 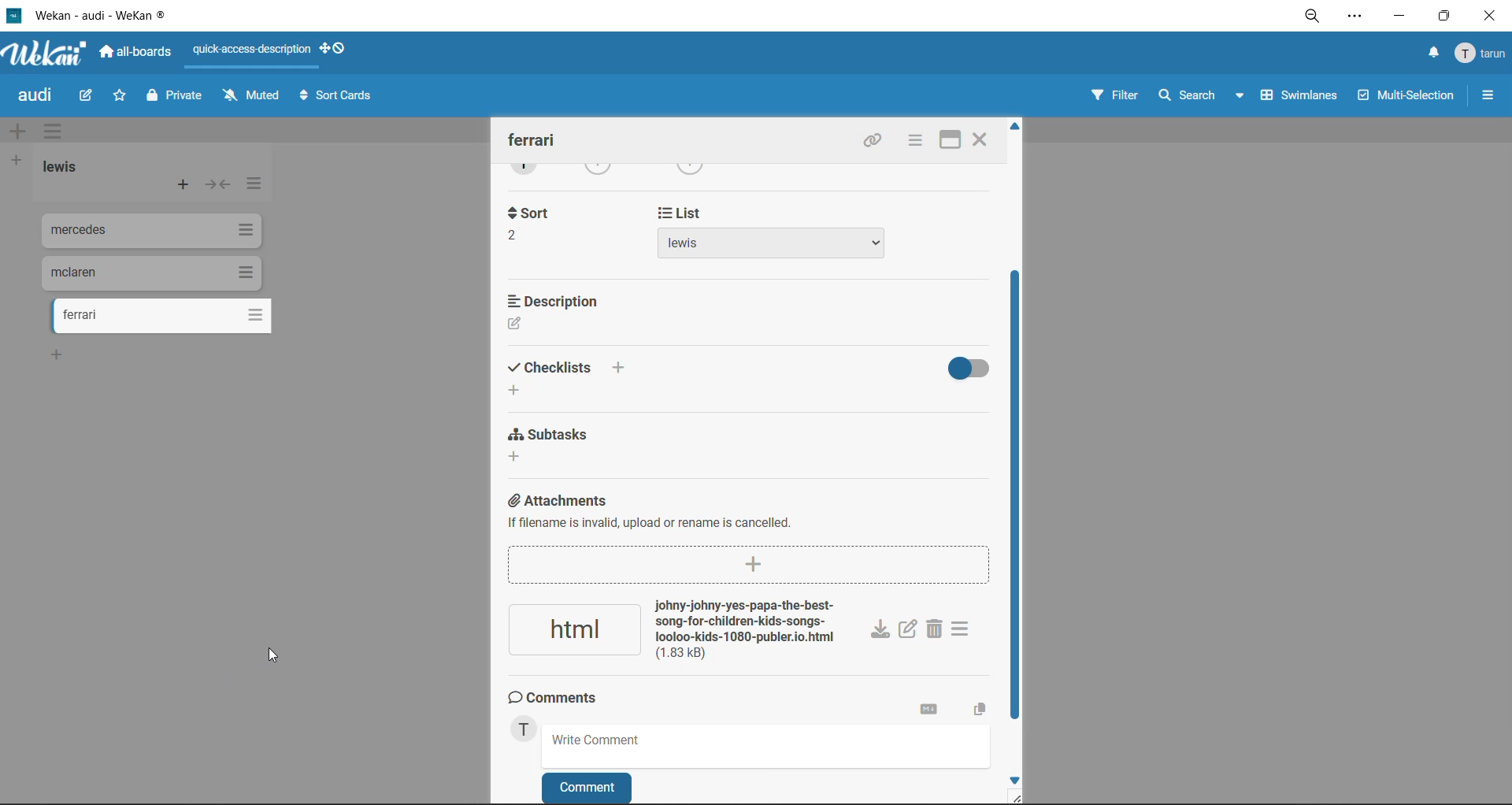 What do you see at coordinates (249, 55) in the screenshot?
I see `quick access description` at bounding box center [249, 55].